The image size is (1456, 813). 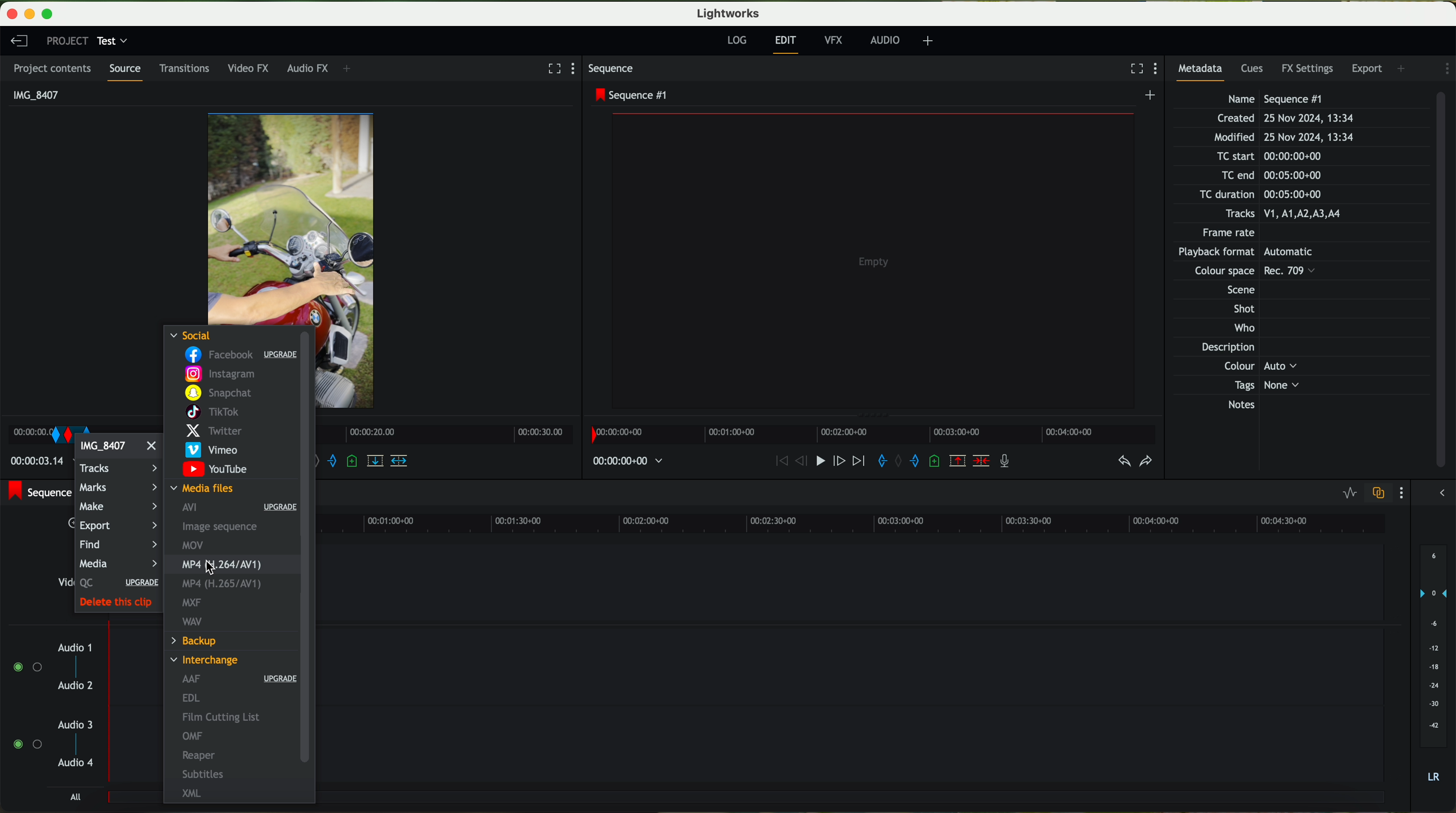 I want to click on project: test, so click(x=86, y=41).